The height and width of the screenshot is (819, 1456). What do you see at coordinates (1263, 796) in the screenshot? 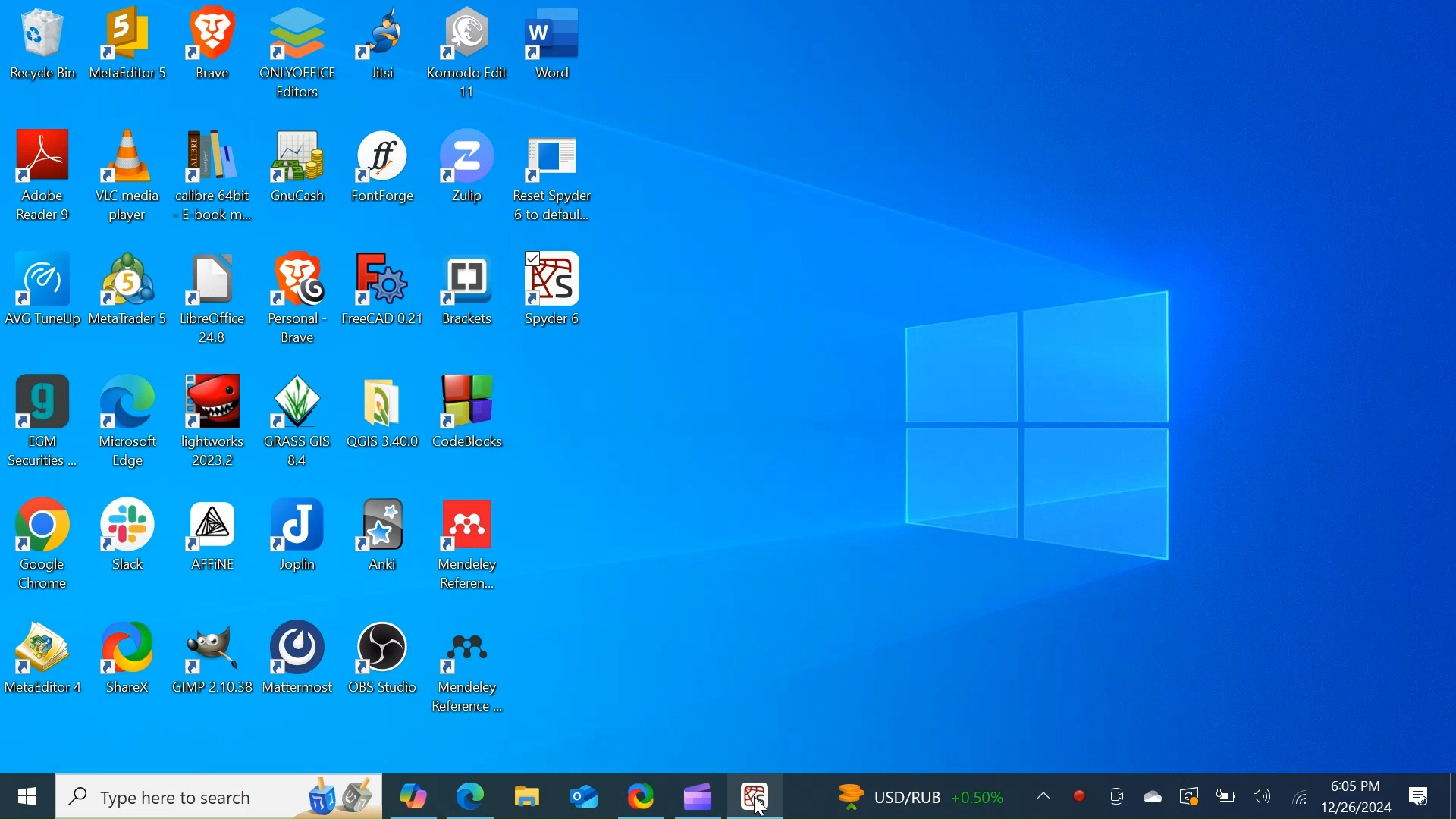
I see `Speaker` at bounding box center [1263, 796].